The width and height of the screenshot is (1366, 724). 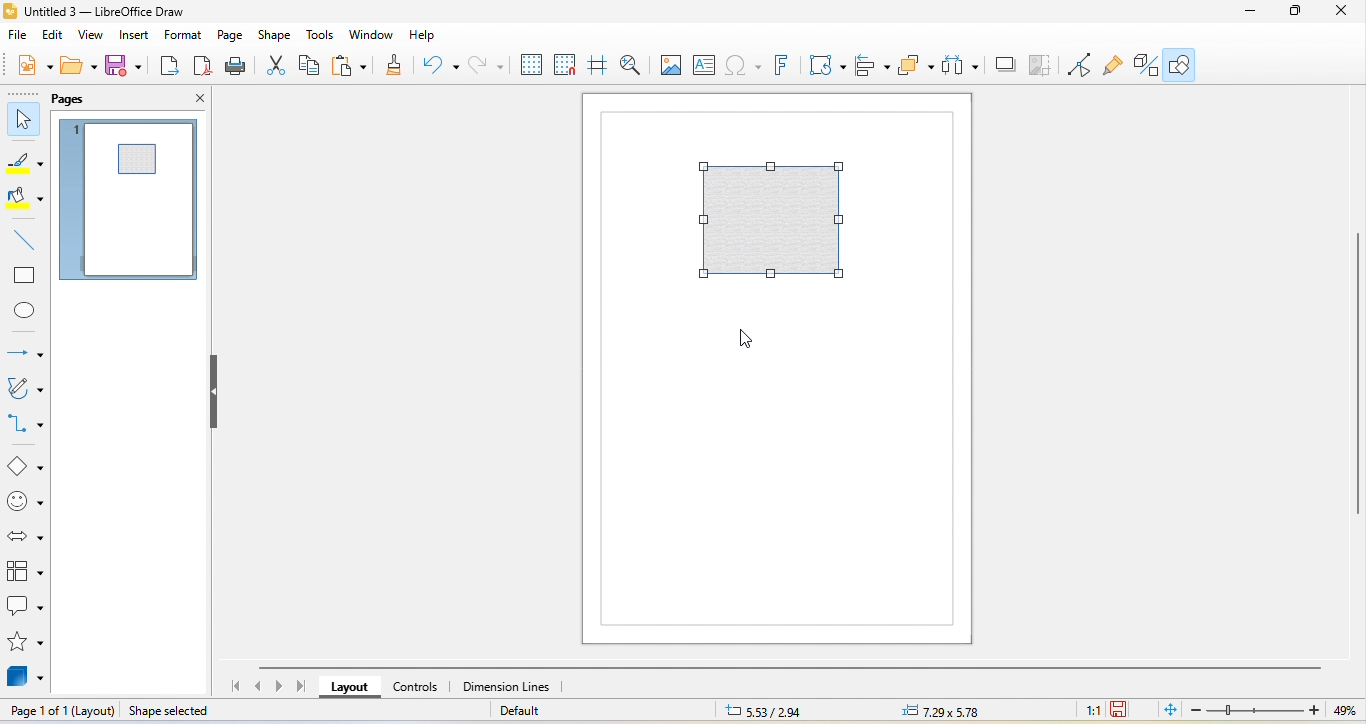 What do you see at coordinates (80, 100) in the screenshot?
I see `pages` at bounding box center [80, 100].